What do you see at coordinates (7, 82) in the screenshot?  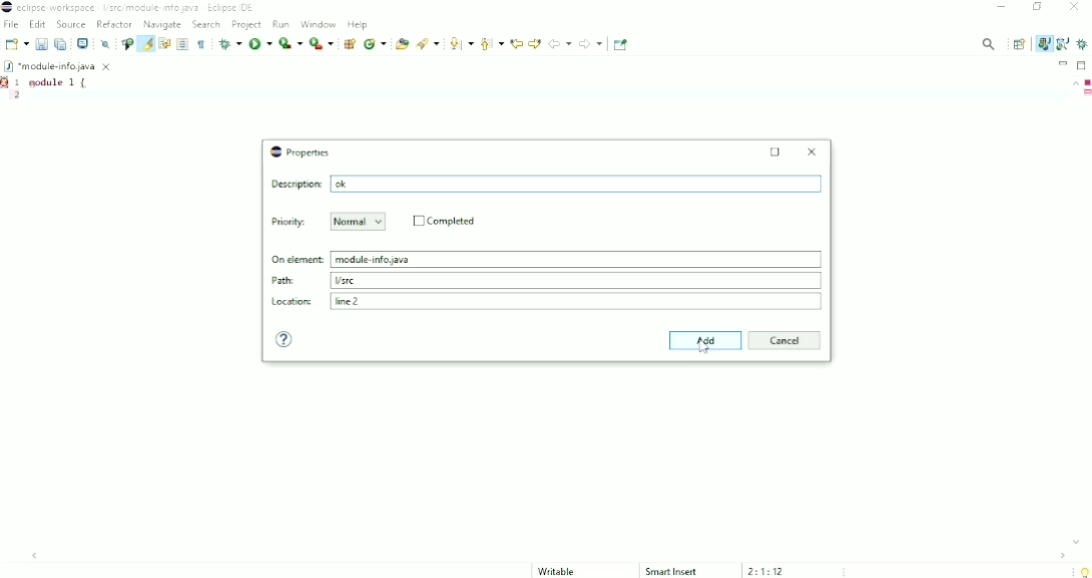 I see `Markers` at bounding box center [7, 82].